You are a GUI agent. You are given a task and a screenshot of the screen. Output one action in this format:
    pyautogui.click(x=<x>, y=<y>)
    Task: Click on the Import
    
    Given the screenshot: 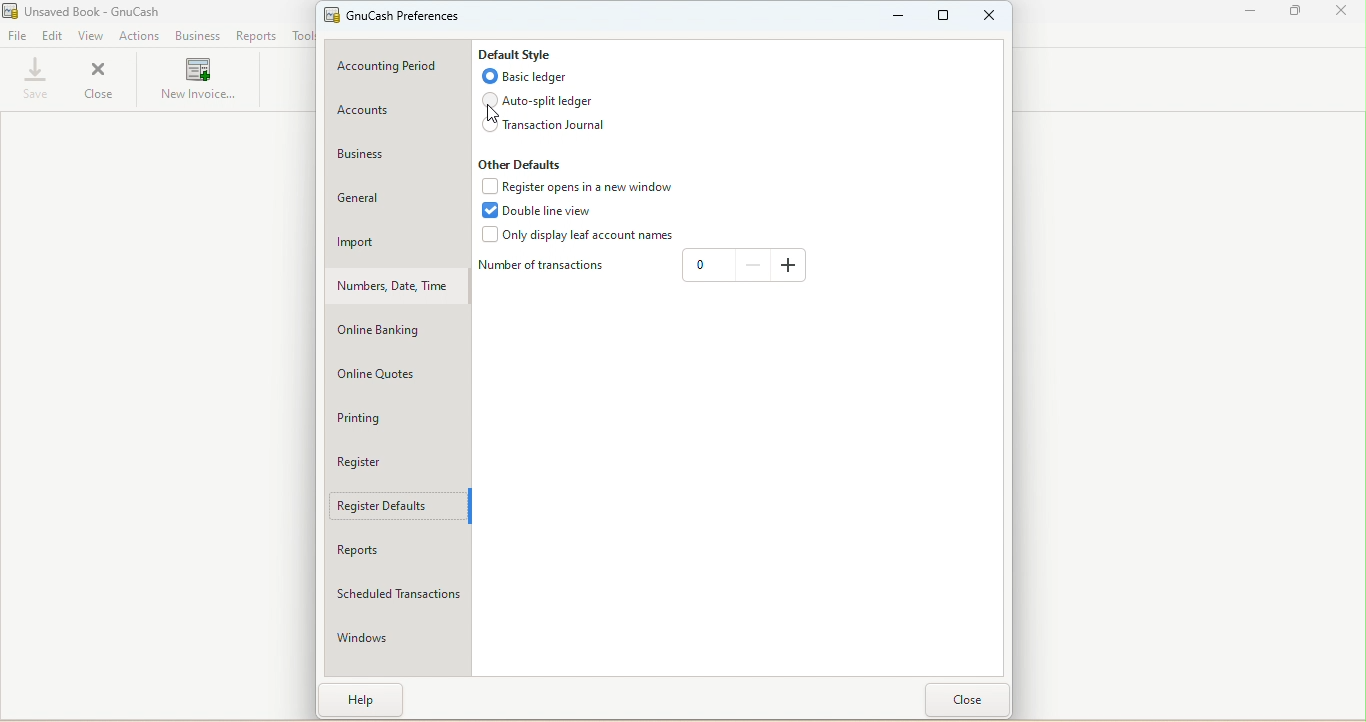 What is the action you would take?
    pyautogui.click(x=396, y=242)
    